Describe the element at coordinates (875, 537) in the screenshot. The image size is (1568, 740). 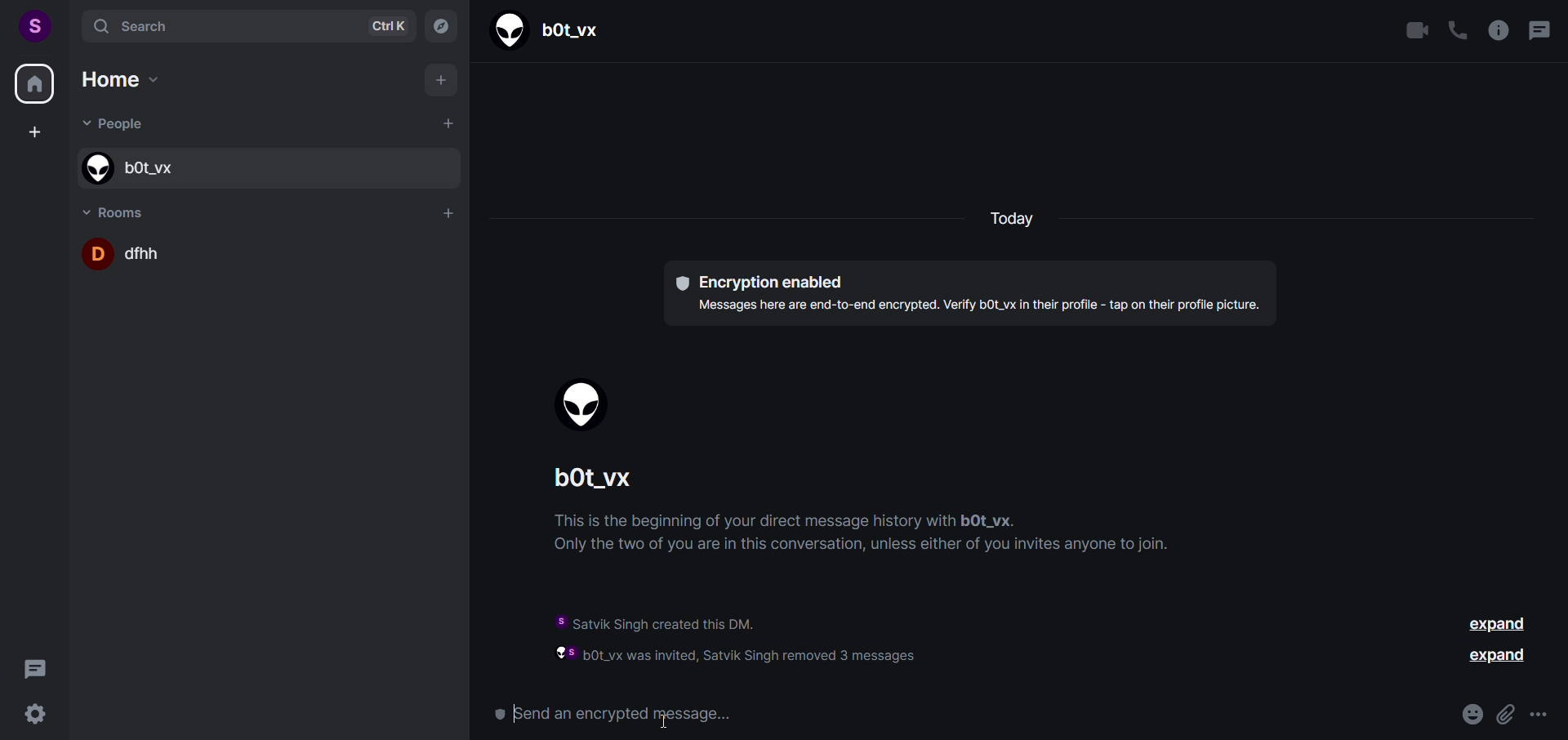
I see `instructions` at that location.